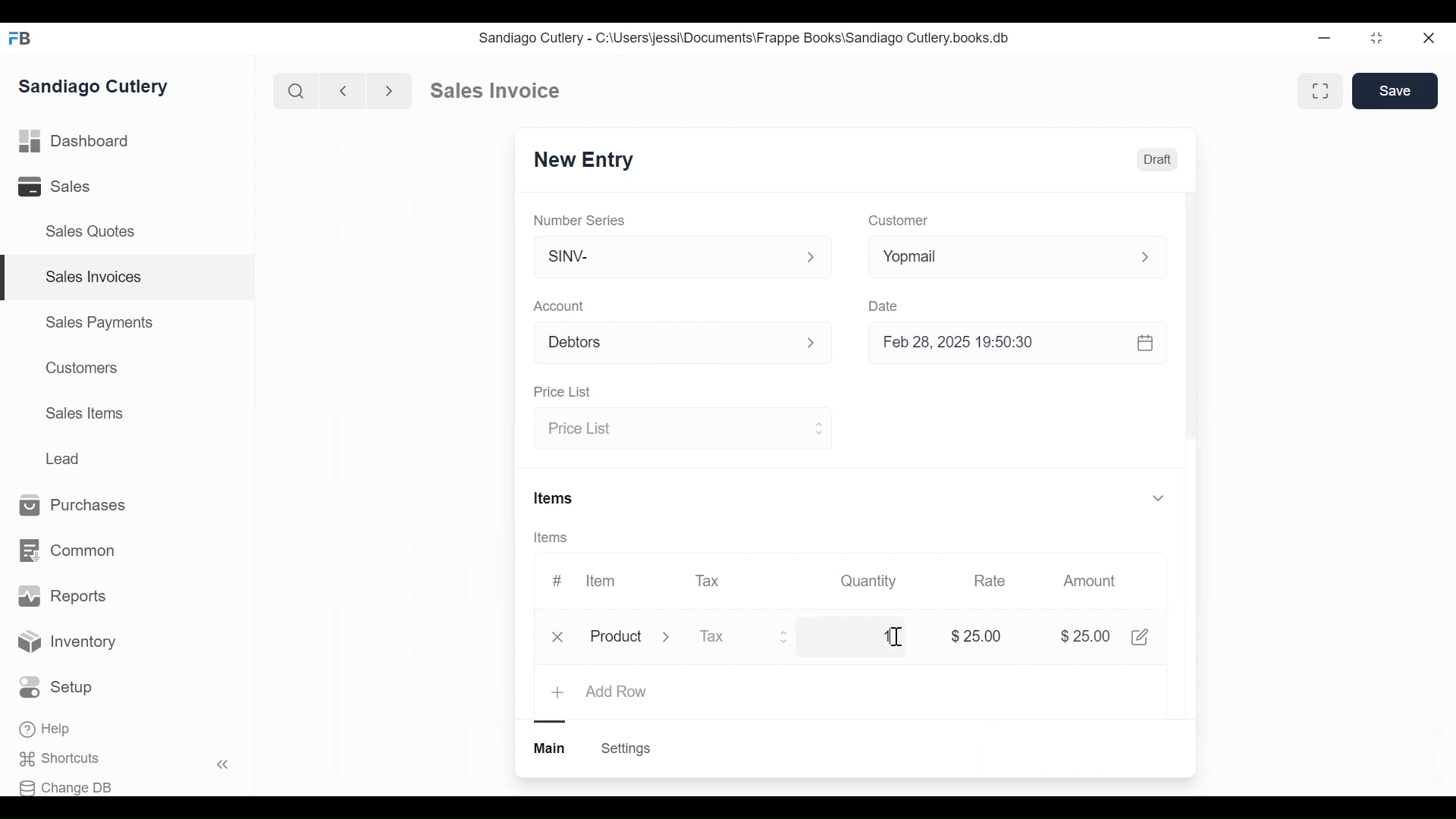 This screenshot has width=1456, height=819. Describe the element at coordinates (684, 344) in the screenshot. I see `Account p` at that location.